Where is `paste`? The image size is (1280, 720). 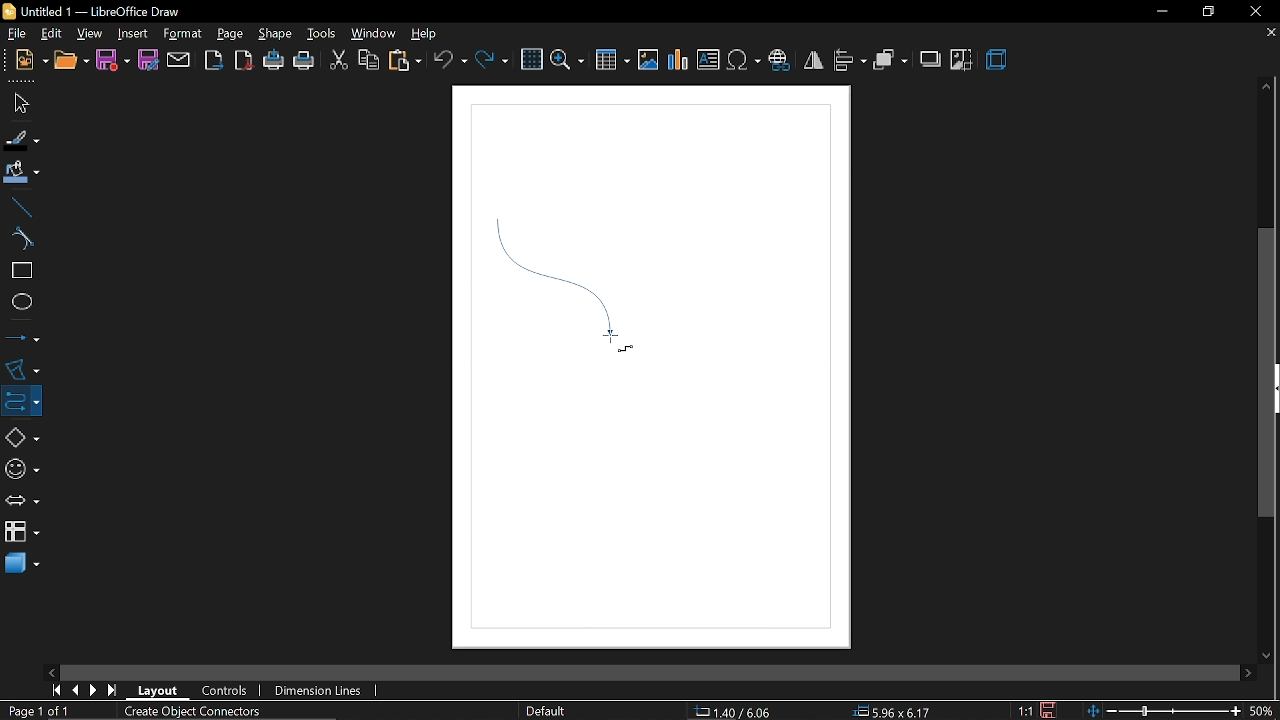
paste is located at coordinates (404, 61).